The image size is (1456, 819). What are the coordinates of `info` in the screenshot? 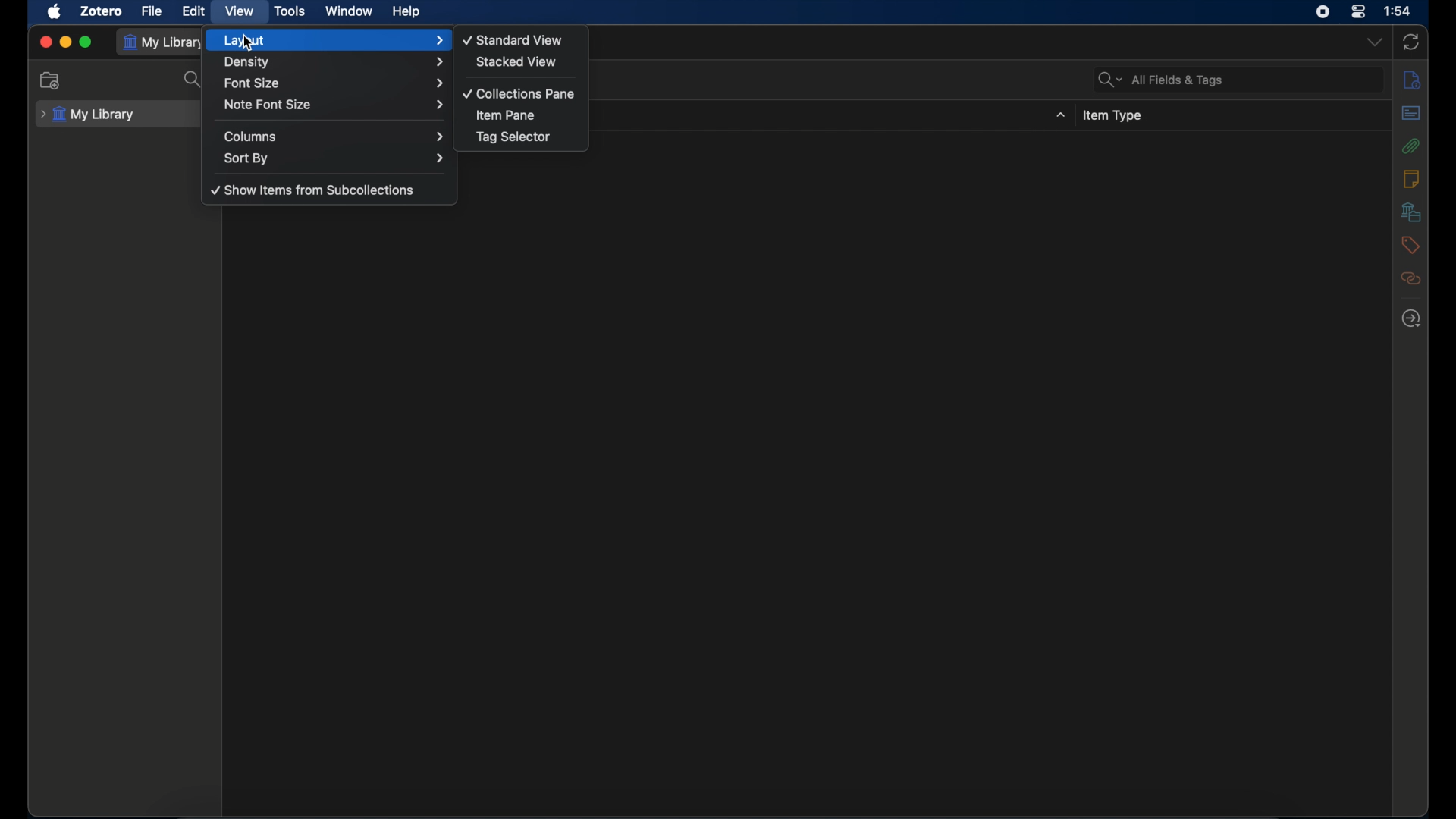 It's located at (1412, 80).